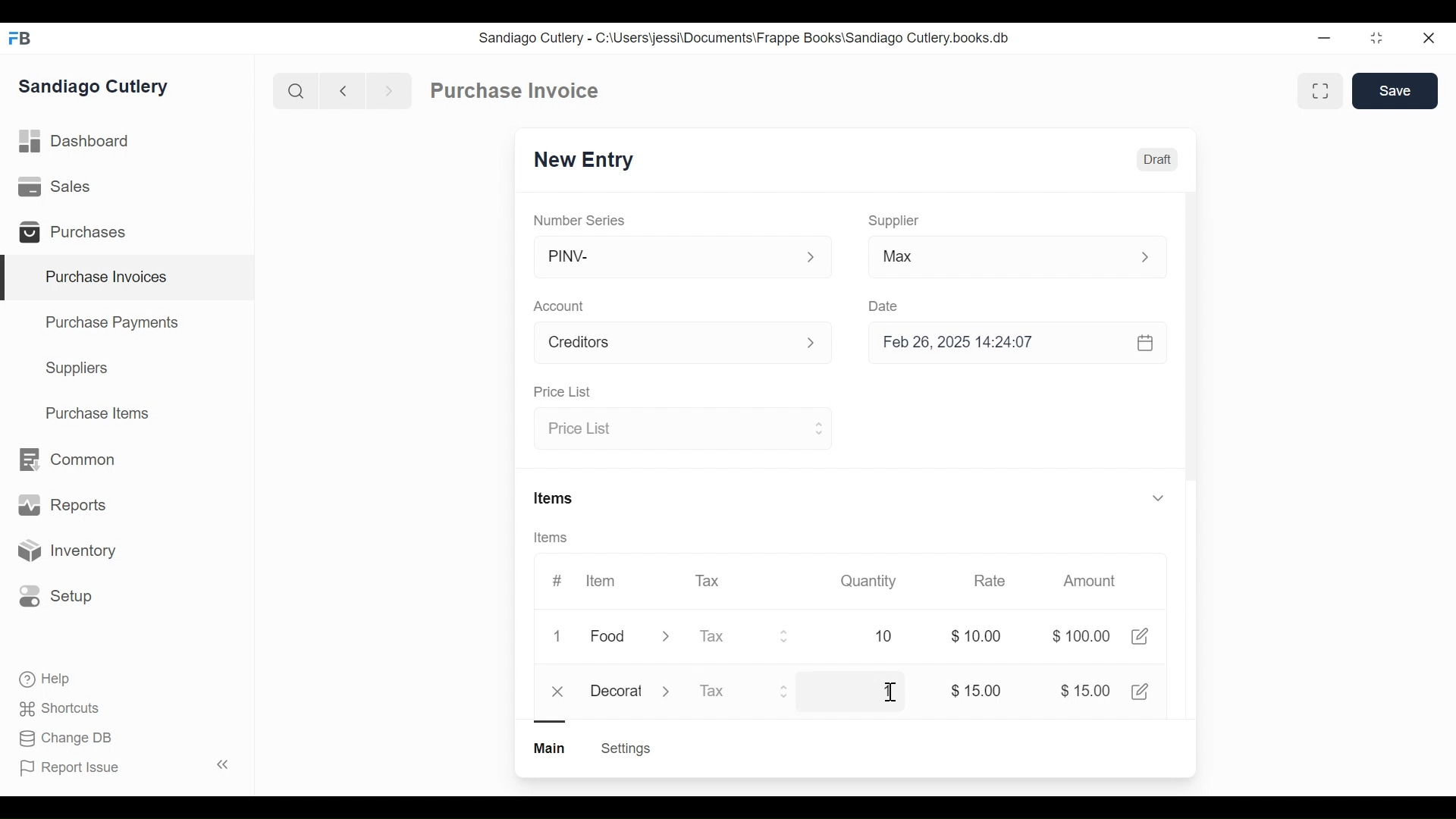 This screenshot has width=1456, height=819. I want to click on Draft, so click(1158, 162).